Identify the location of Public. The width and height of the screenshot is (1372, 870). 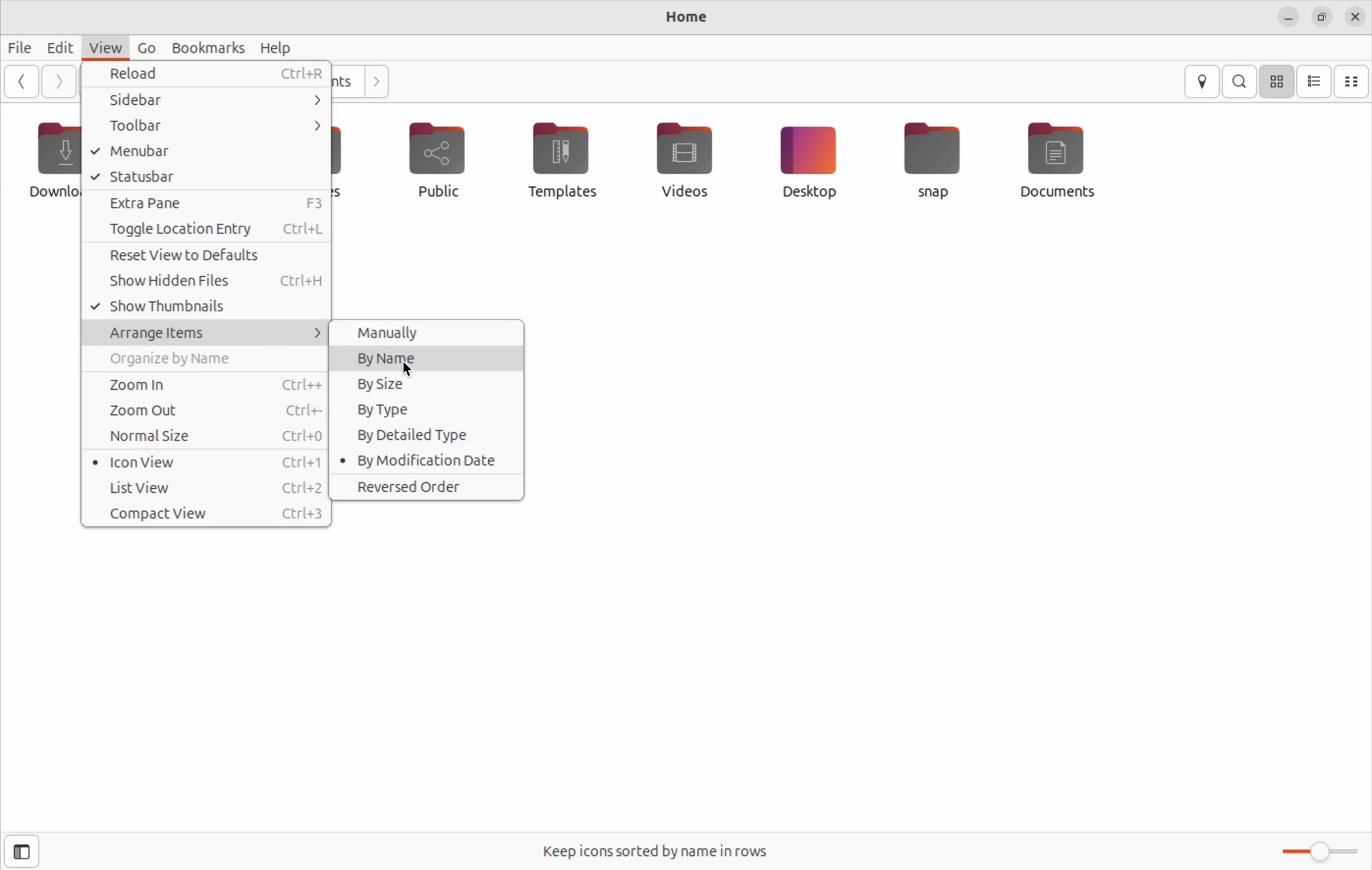
(440, 164).